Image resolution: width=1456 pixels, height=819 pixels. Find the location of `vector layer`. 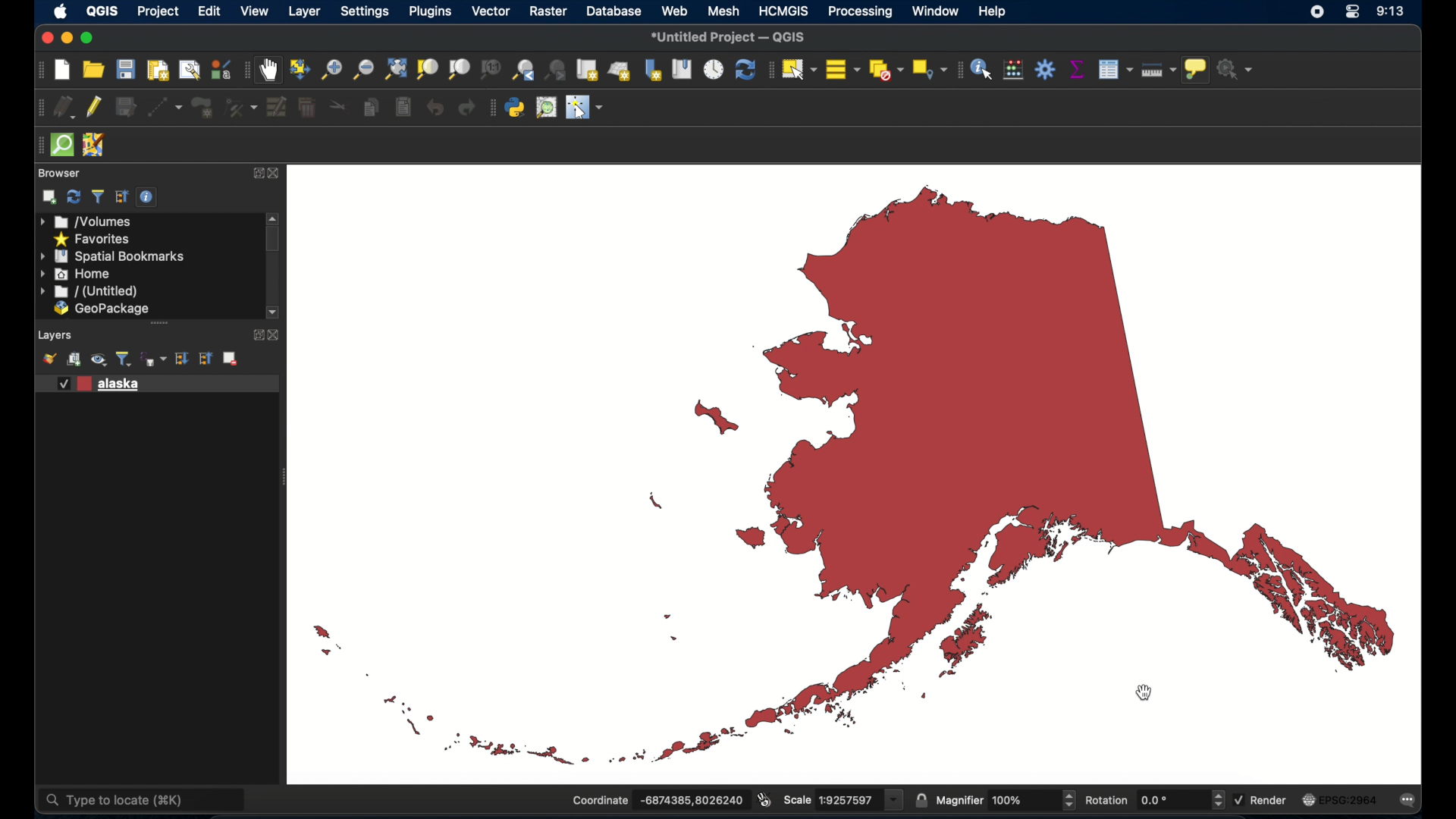

vector layer is located at coordinates (105, 384).